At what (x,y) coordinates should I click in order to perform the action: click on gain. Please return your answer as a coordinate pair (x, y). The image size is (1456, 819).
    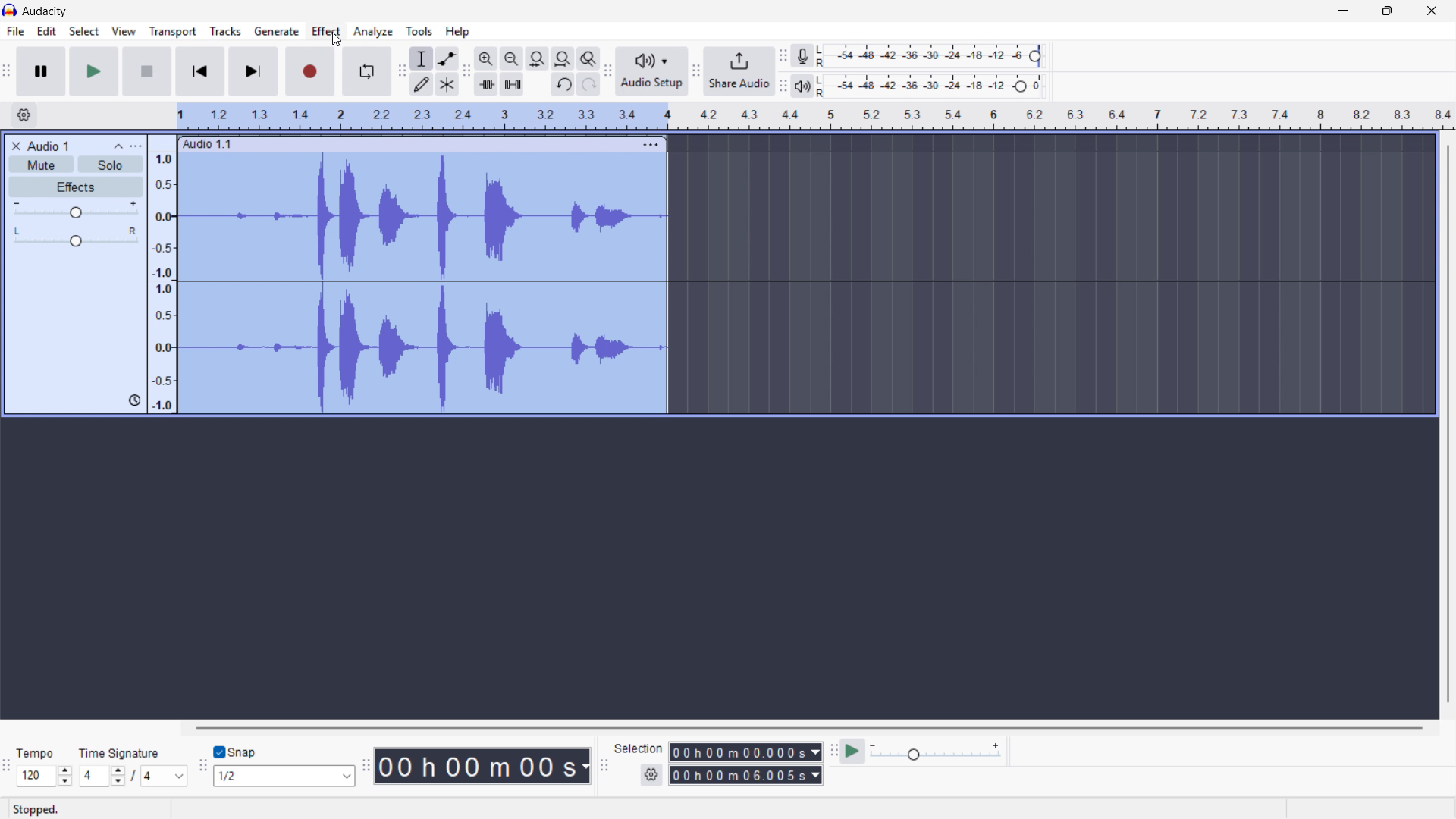
    Looking at the image, I should click on (77, 212).